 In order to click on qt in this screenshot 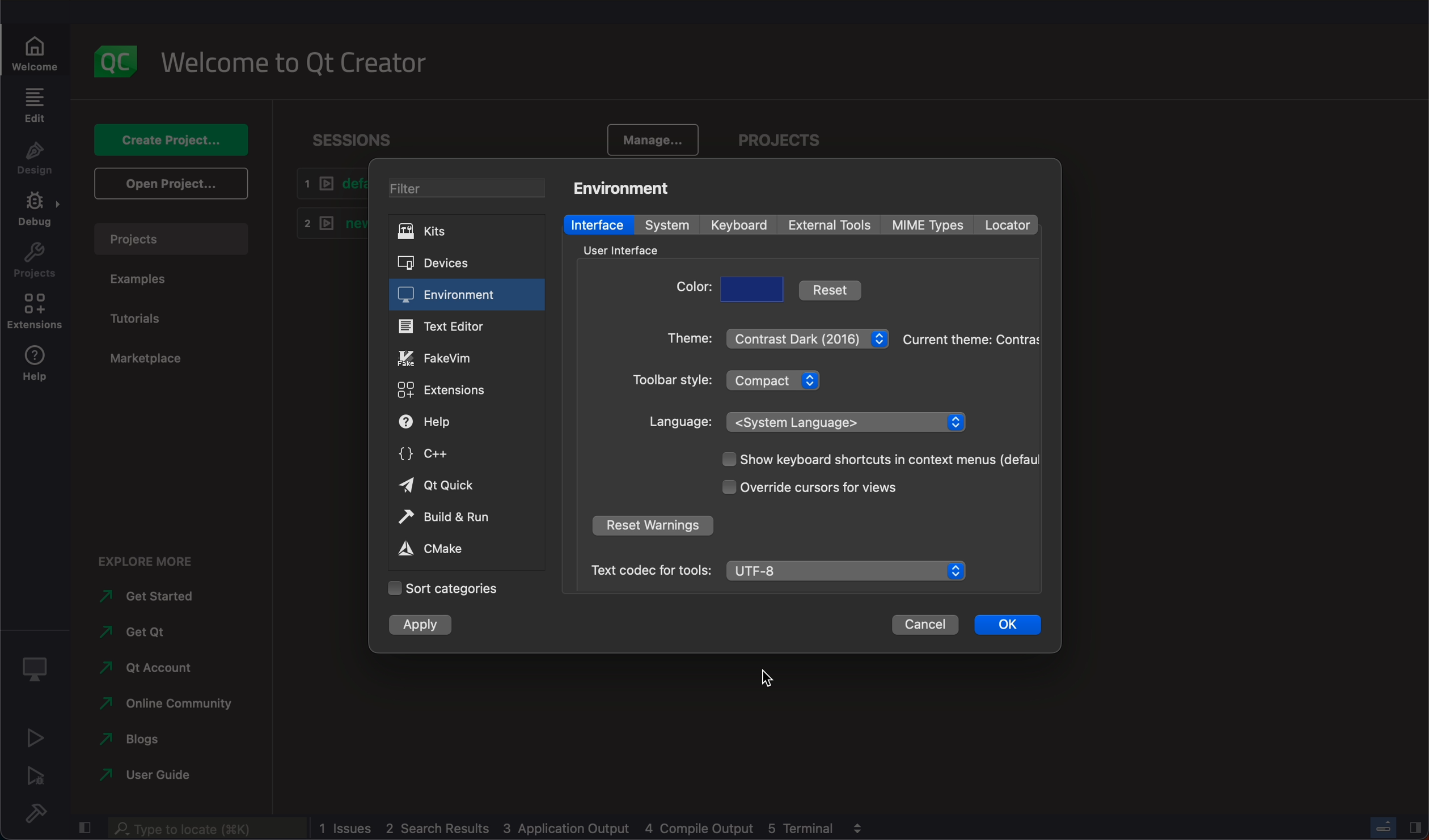, I will do `click(461, 486)`.